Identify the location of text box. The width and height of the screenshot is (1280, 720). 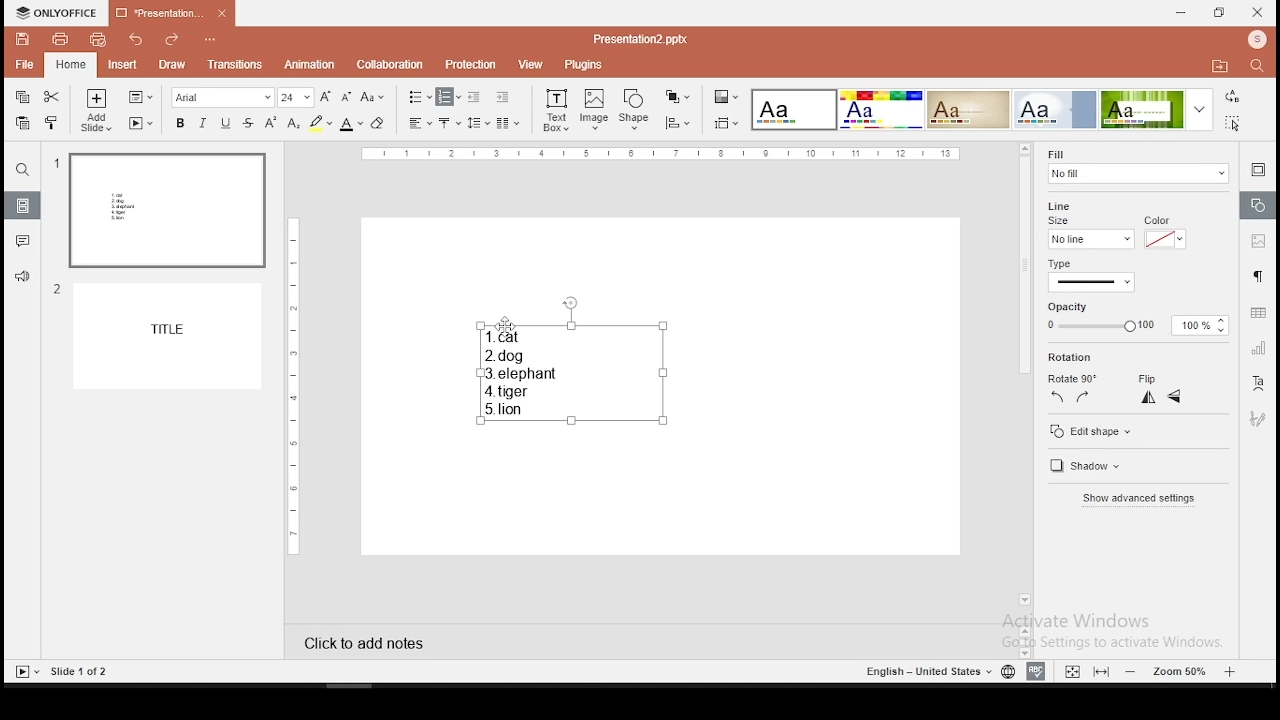
(555, 111).